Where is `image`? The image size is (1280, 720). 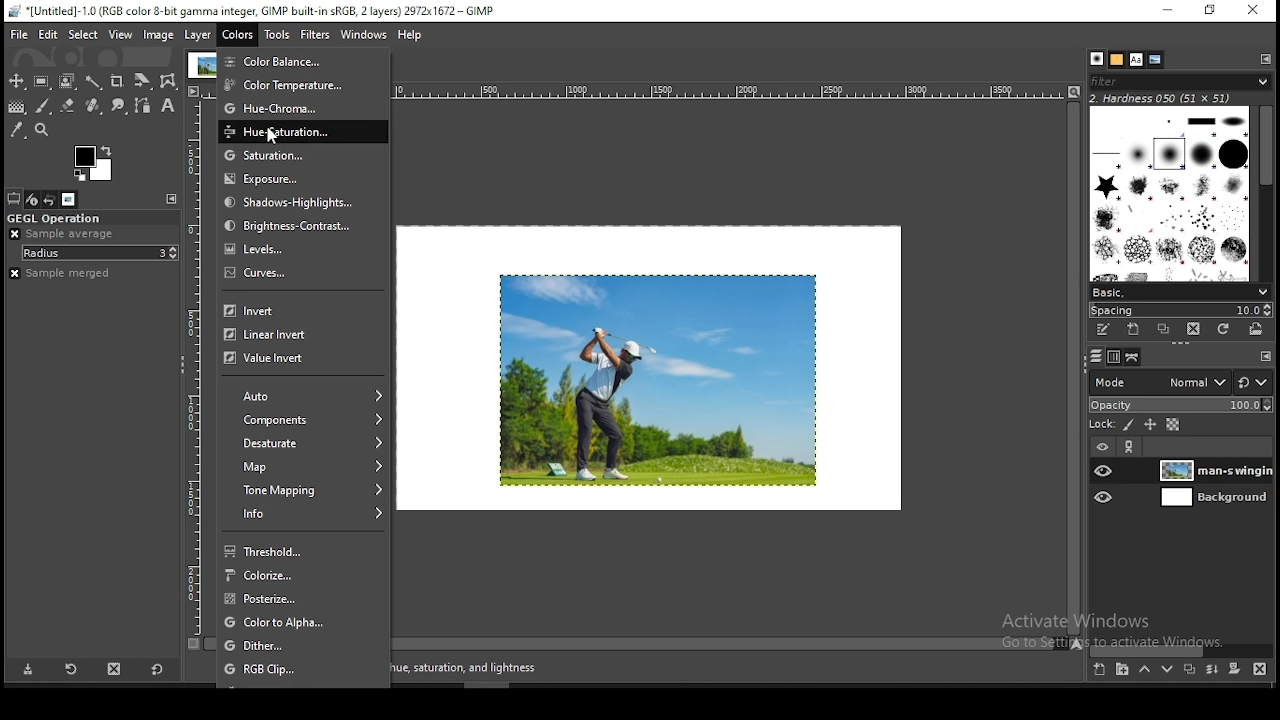
image is located at coordinates (159, 34).